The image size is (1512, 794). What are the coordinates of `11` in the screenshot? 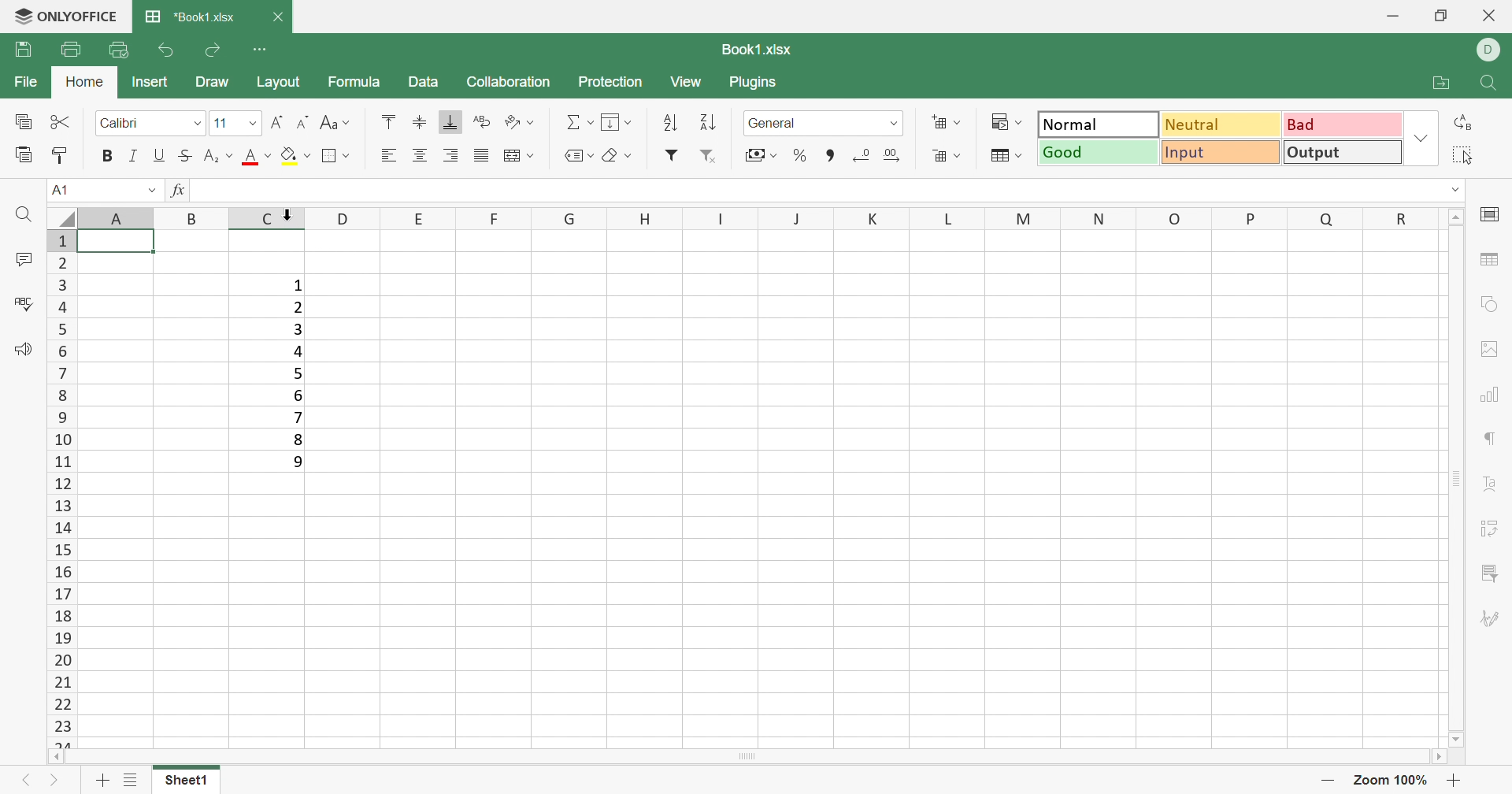 It's located at (223, 123).